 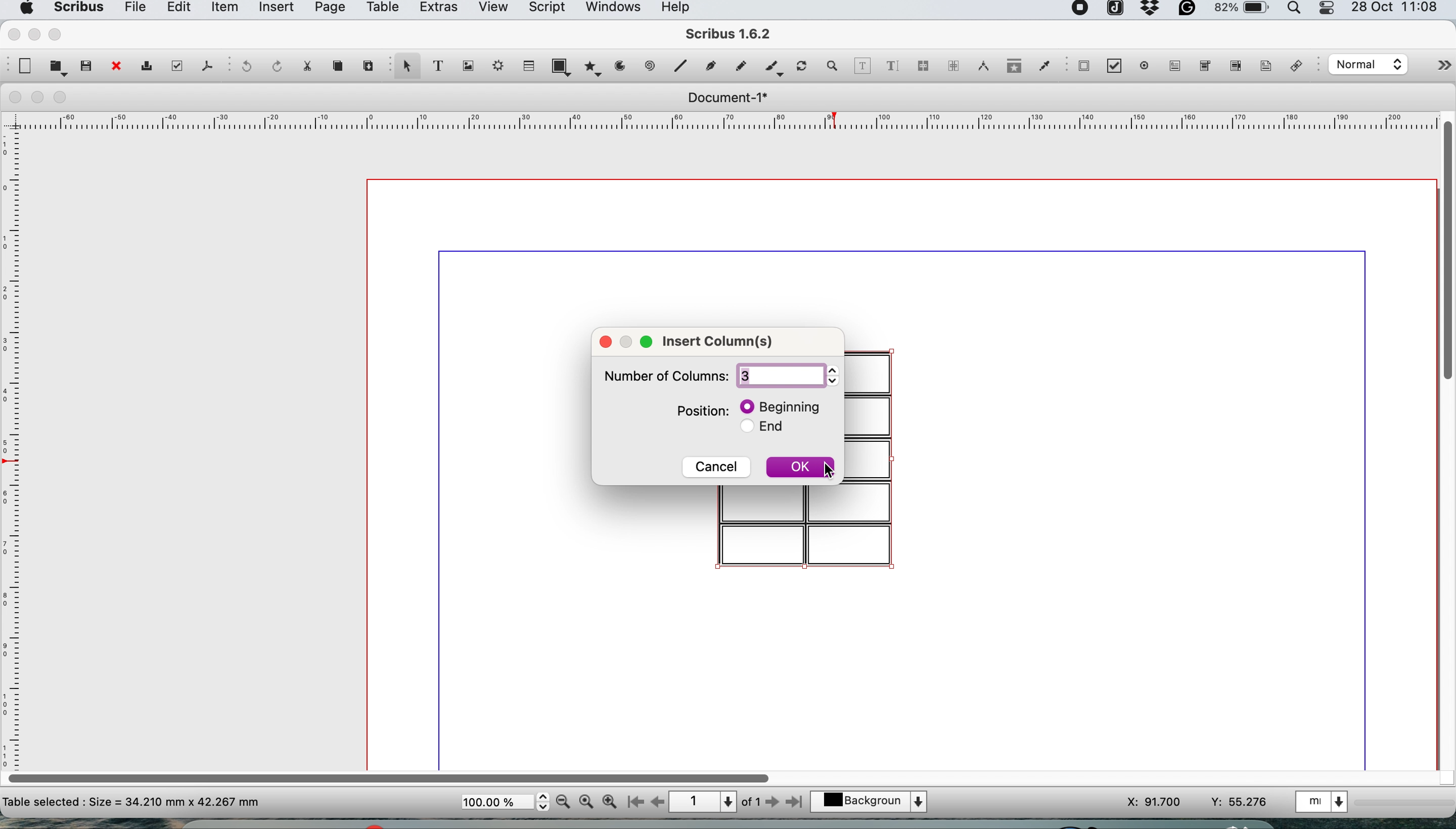 I want to click on eyedropper, so click(x=1044, y=68).